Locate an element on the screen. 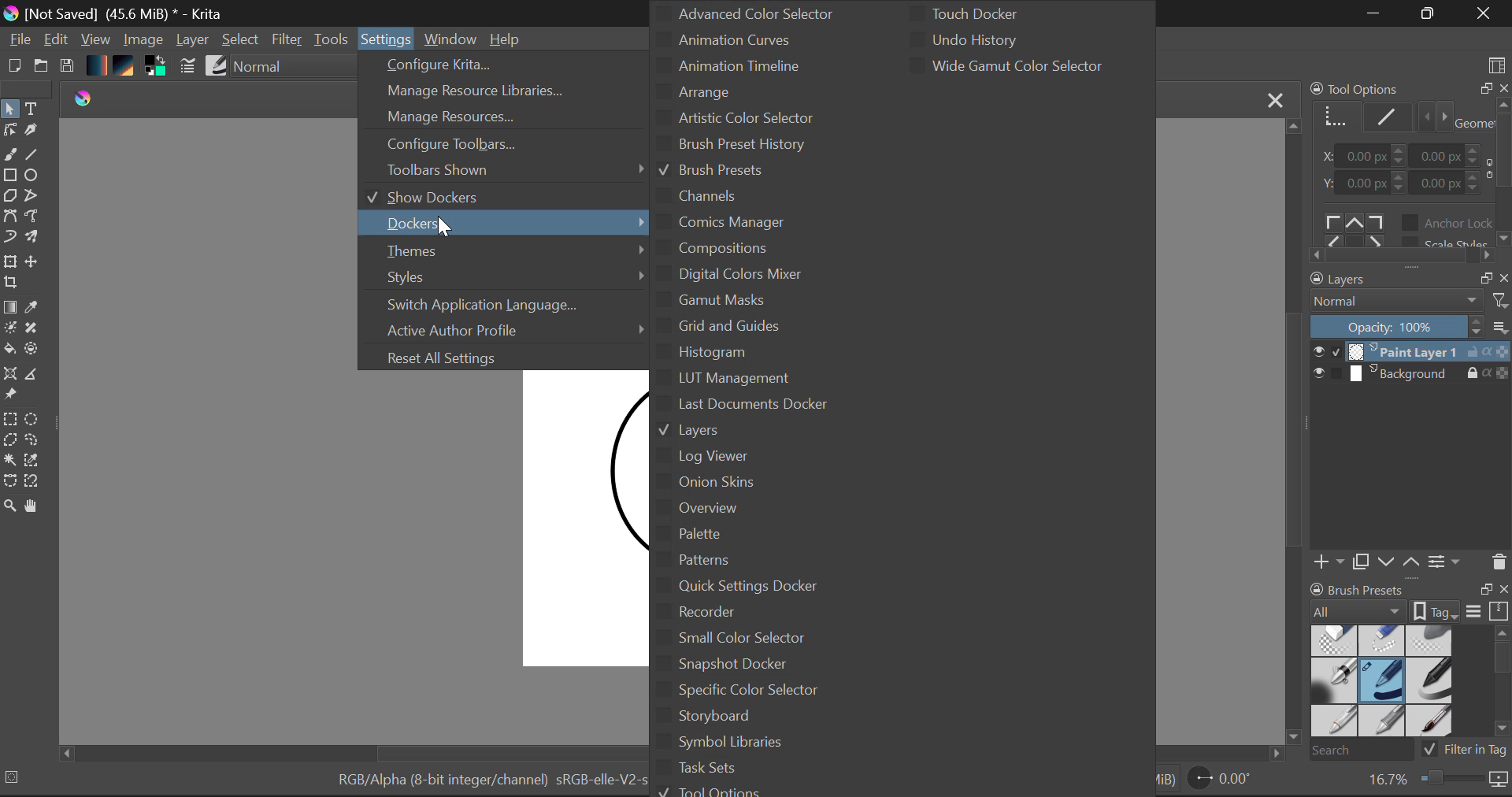 The height and width of the screenshot is (797, 1512). Tool Options is located at coordinates (728, 790).